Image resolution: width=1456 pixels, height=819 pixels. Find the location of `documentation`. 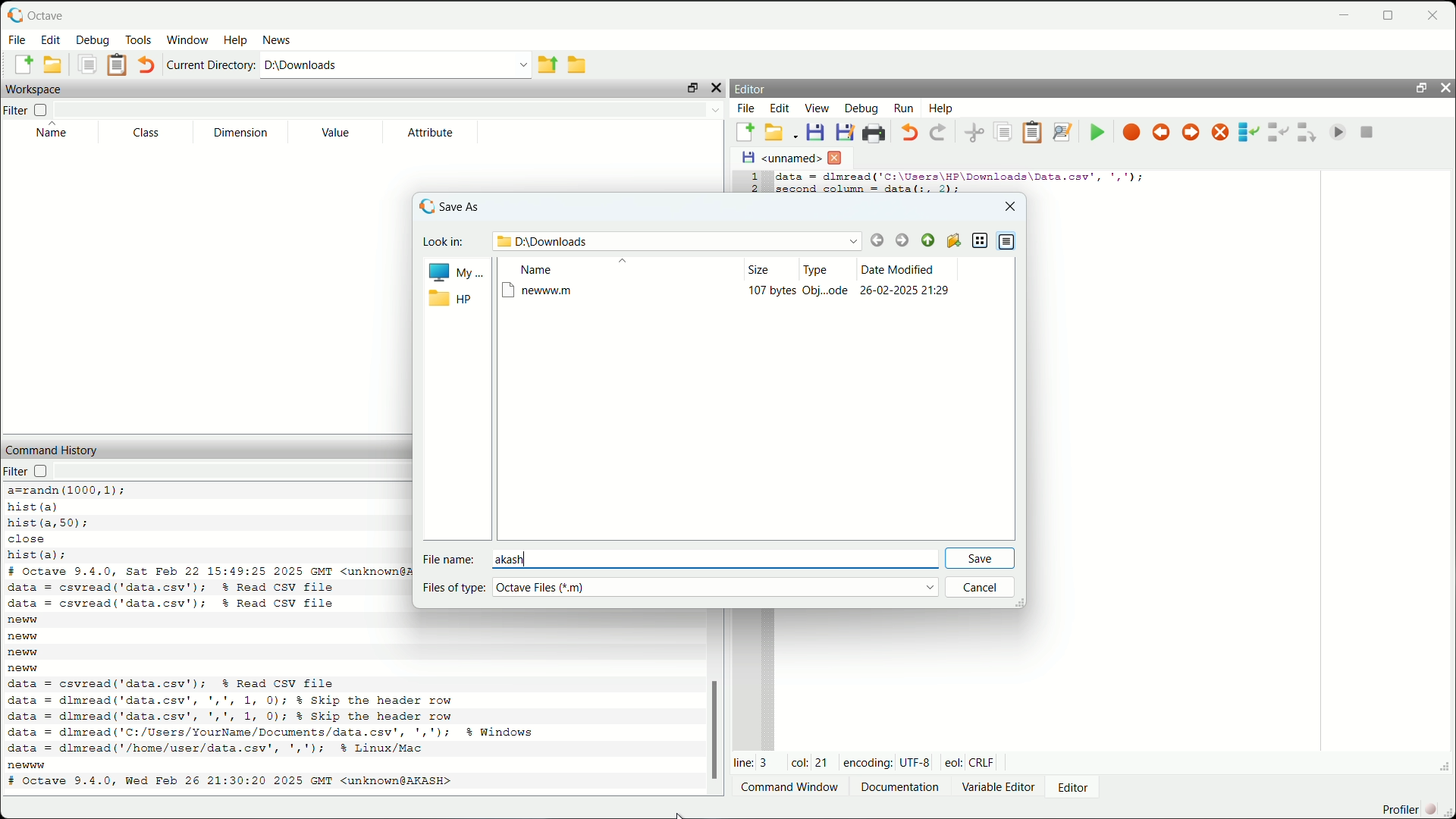

documentation is located at coordinates (901, 786).